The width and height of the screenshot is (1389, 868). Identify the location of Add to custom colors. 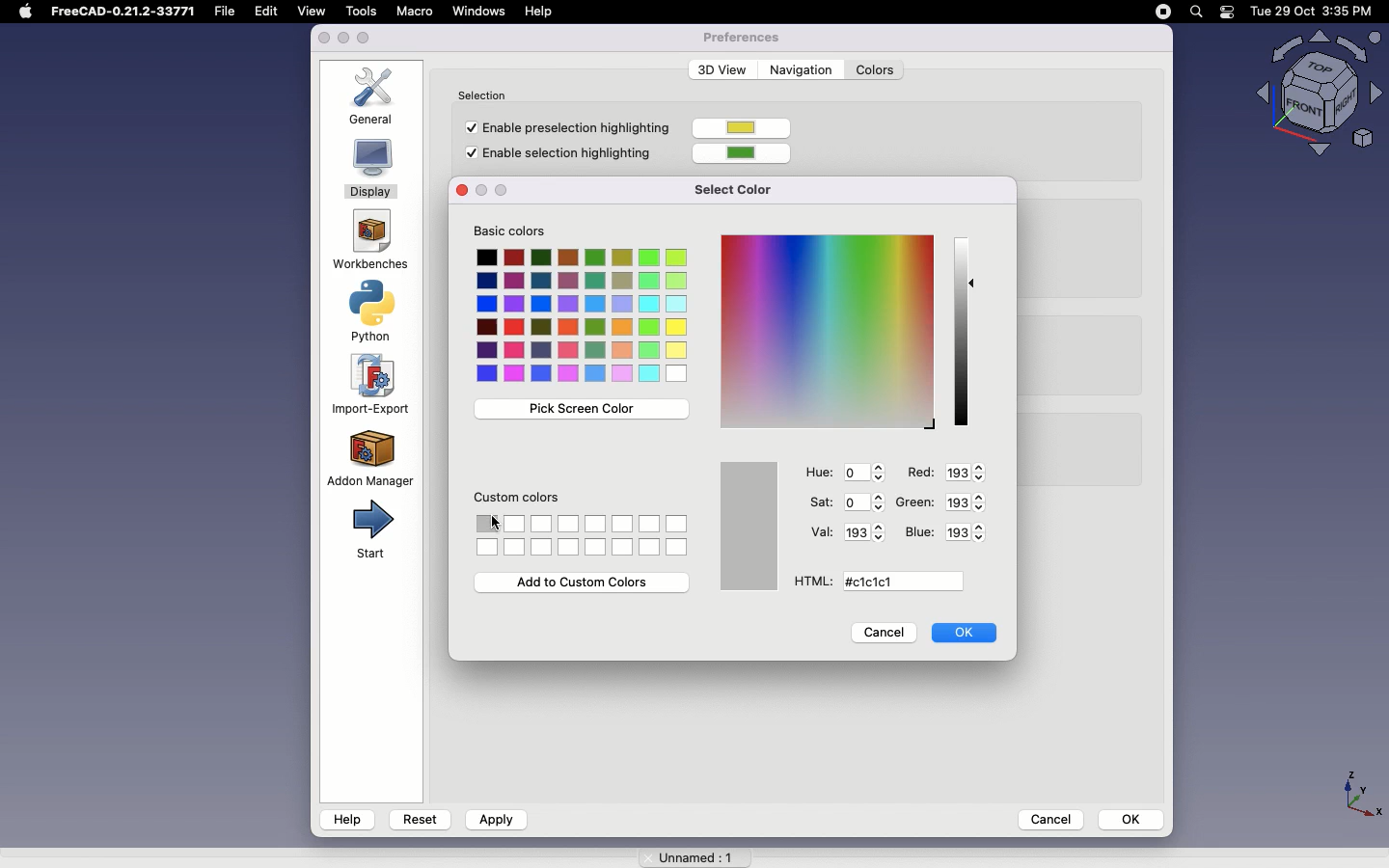
(585, 583).